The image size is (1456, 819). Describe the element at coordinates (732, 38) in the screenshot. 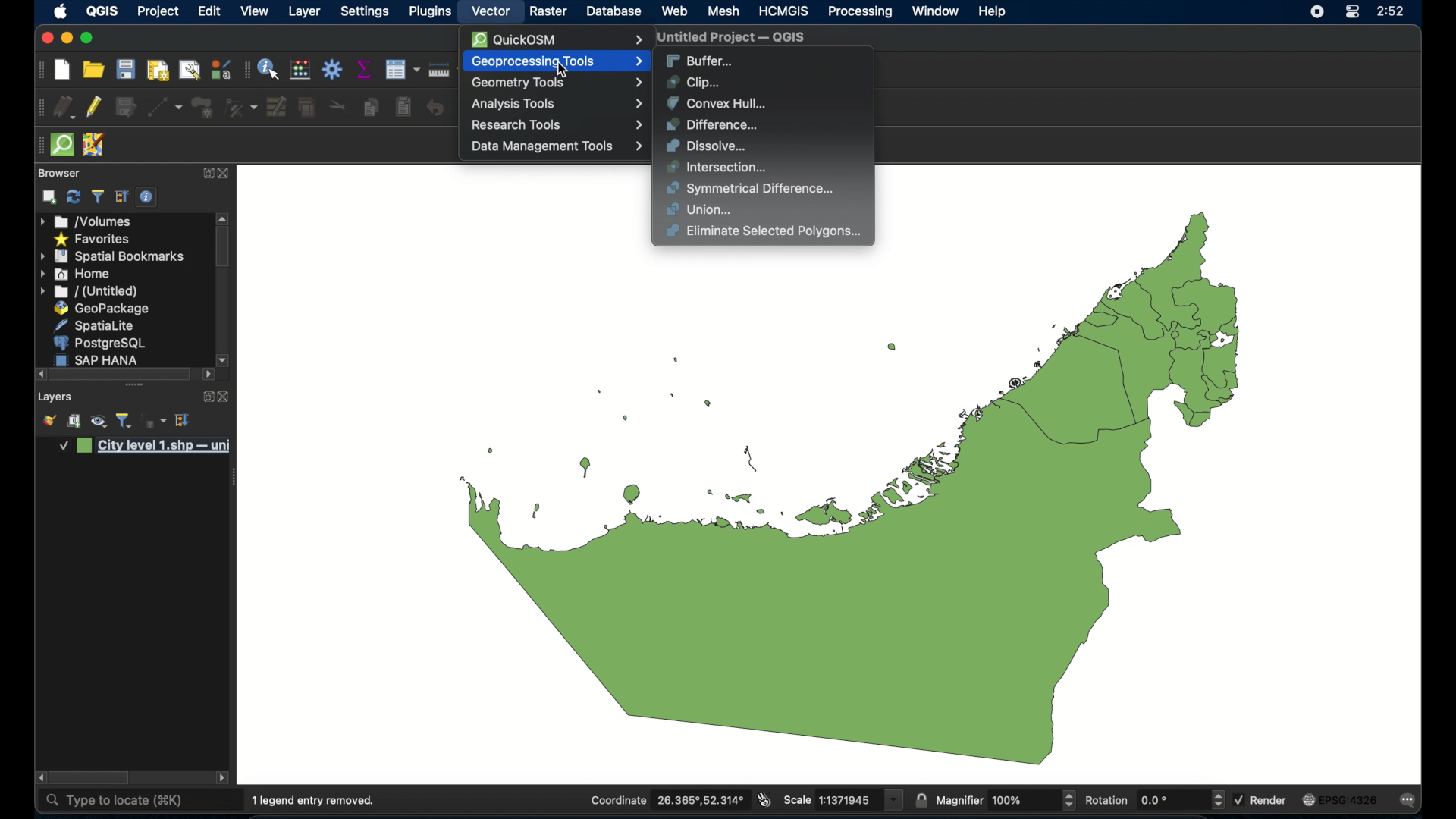

I see `untitled project - QGIS` at that location.